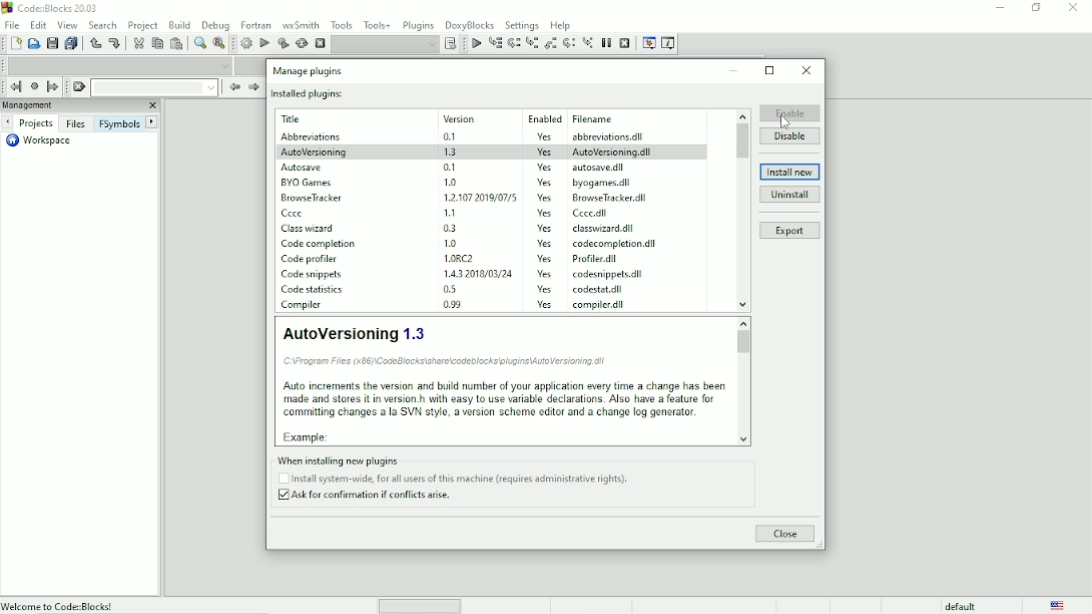  Describe the element at coordinates (157, 43) in the screenshot. I see `Copy` at that location.